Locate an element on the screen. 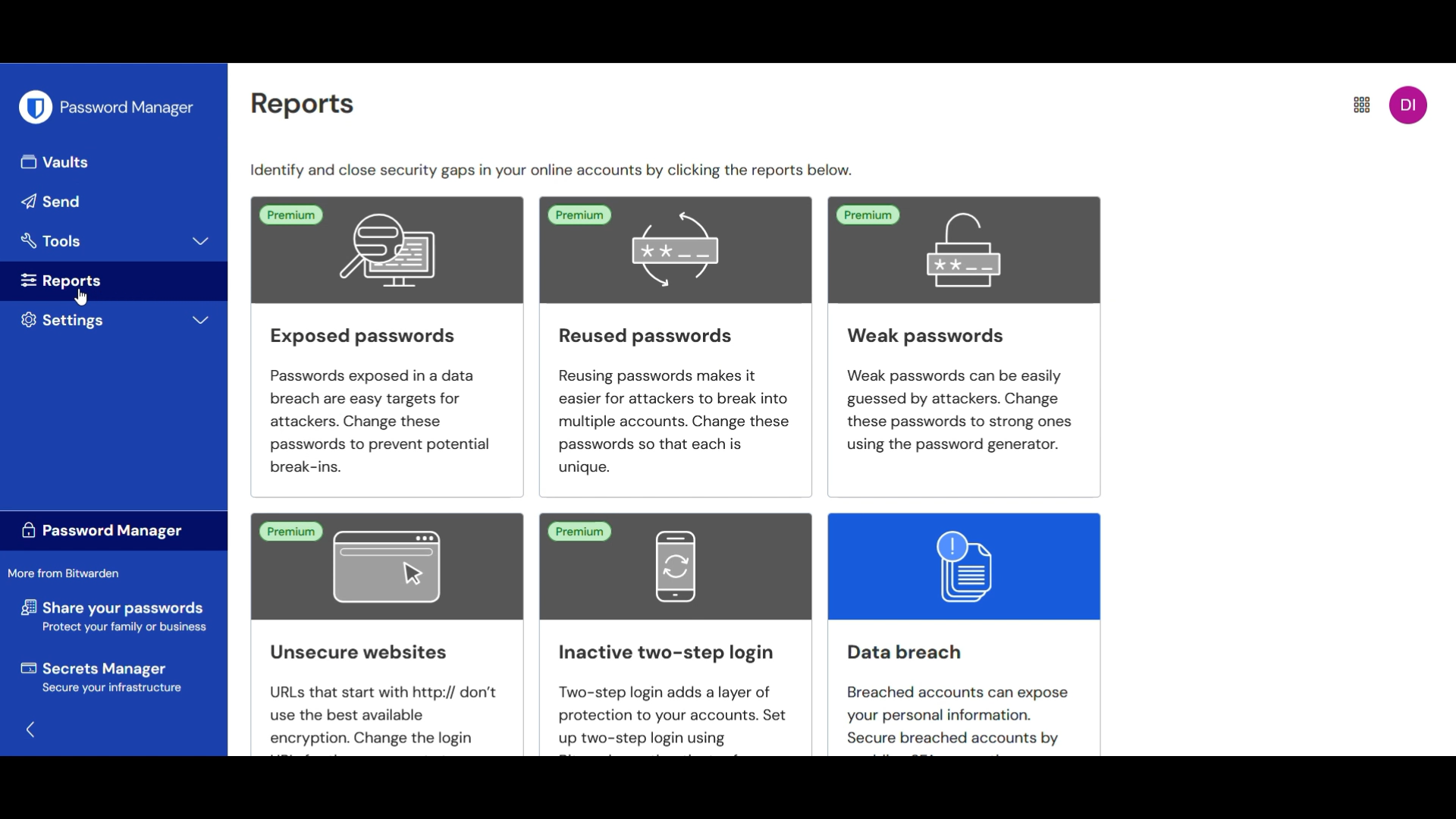 The image size is (1456, 819). reports heading is located at coordinates (294, 107).